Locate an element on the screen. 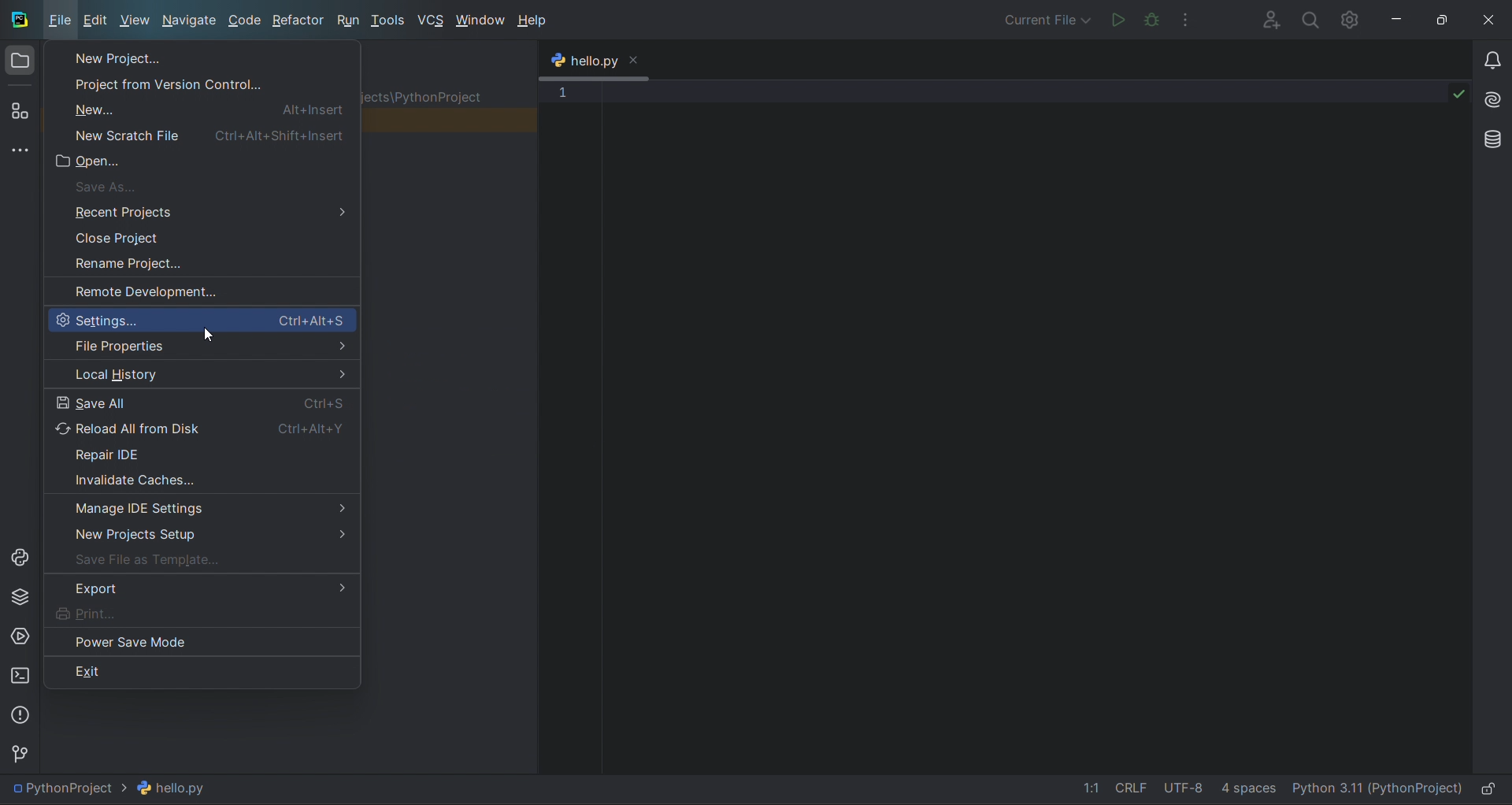  reload is located at coordinates (202, 426).